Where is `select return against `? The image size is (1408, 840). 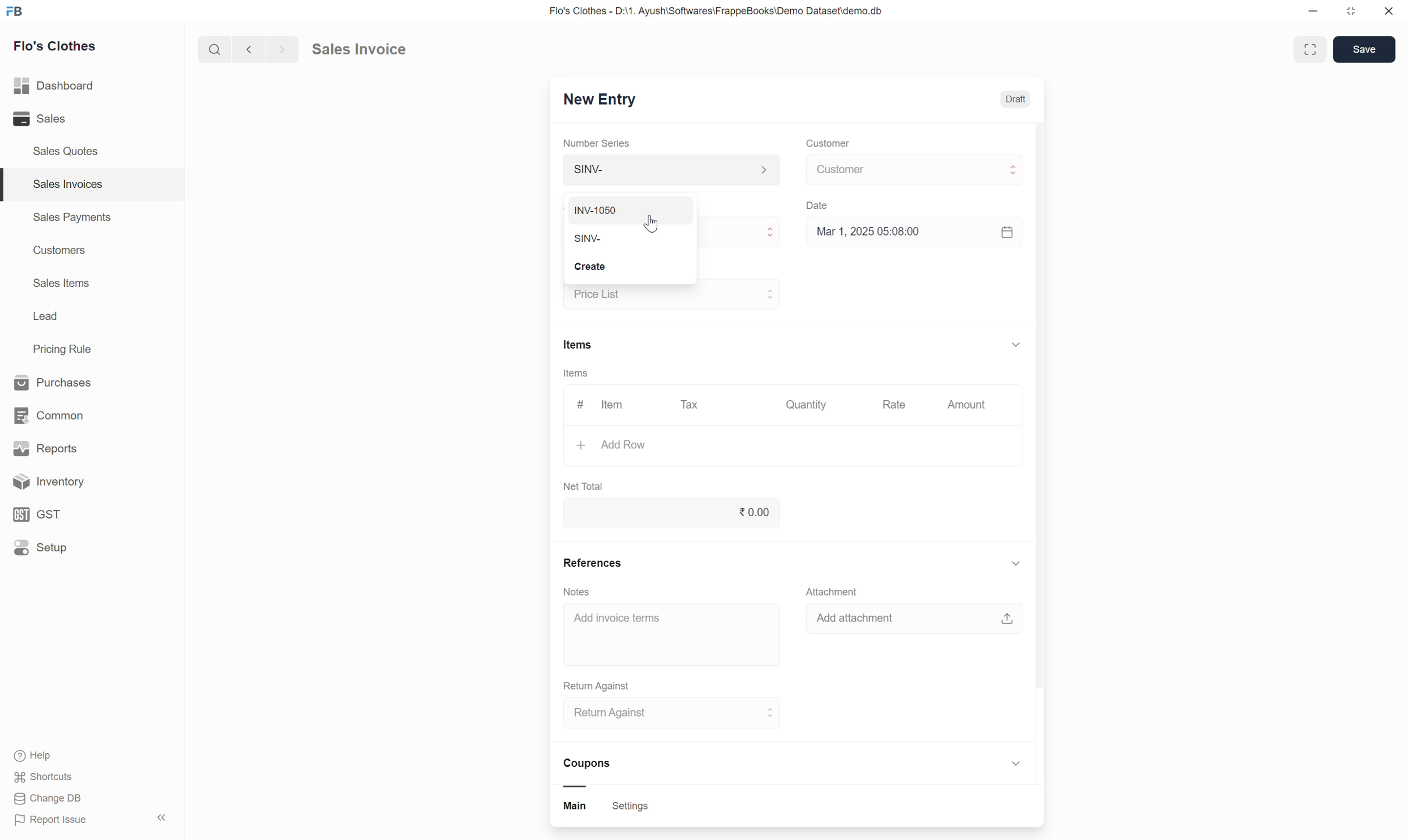
select return against  is located at coordinates (666, 715).